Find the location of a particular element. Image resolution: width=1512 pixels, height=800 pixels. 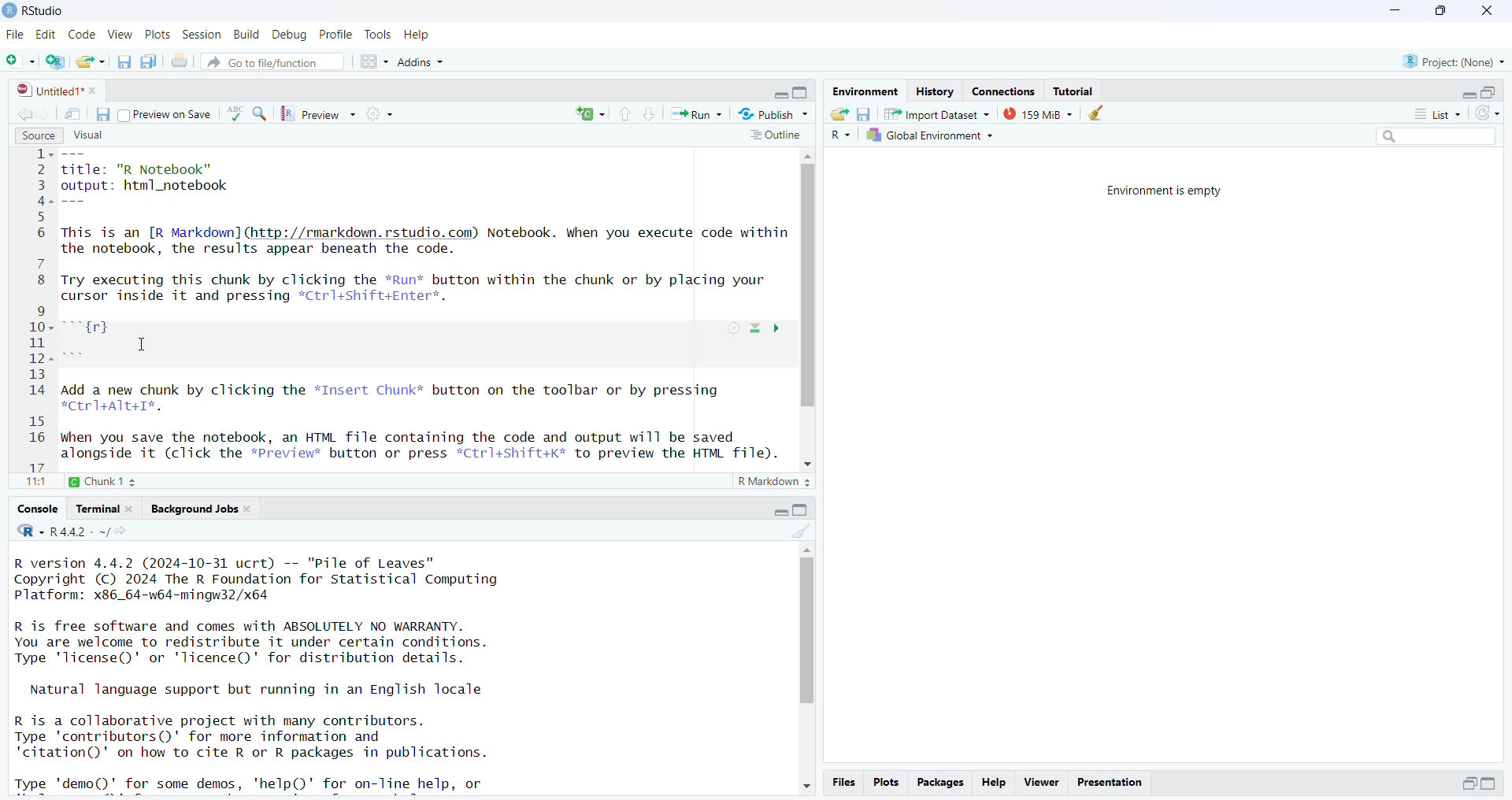

scrollbar is located at coordinates (806, 669).